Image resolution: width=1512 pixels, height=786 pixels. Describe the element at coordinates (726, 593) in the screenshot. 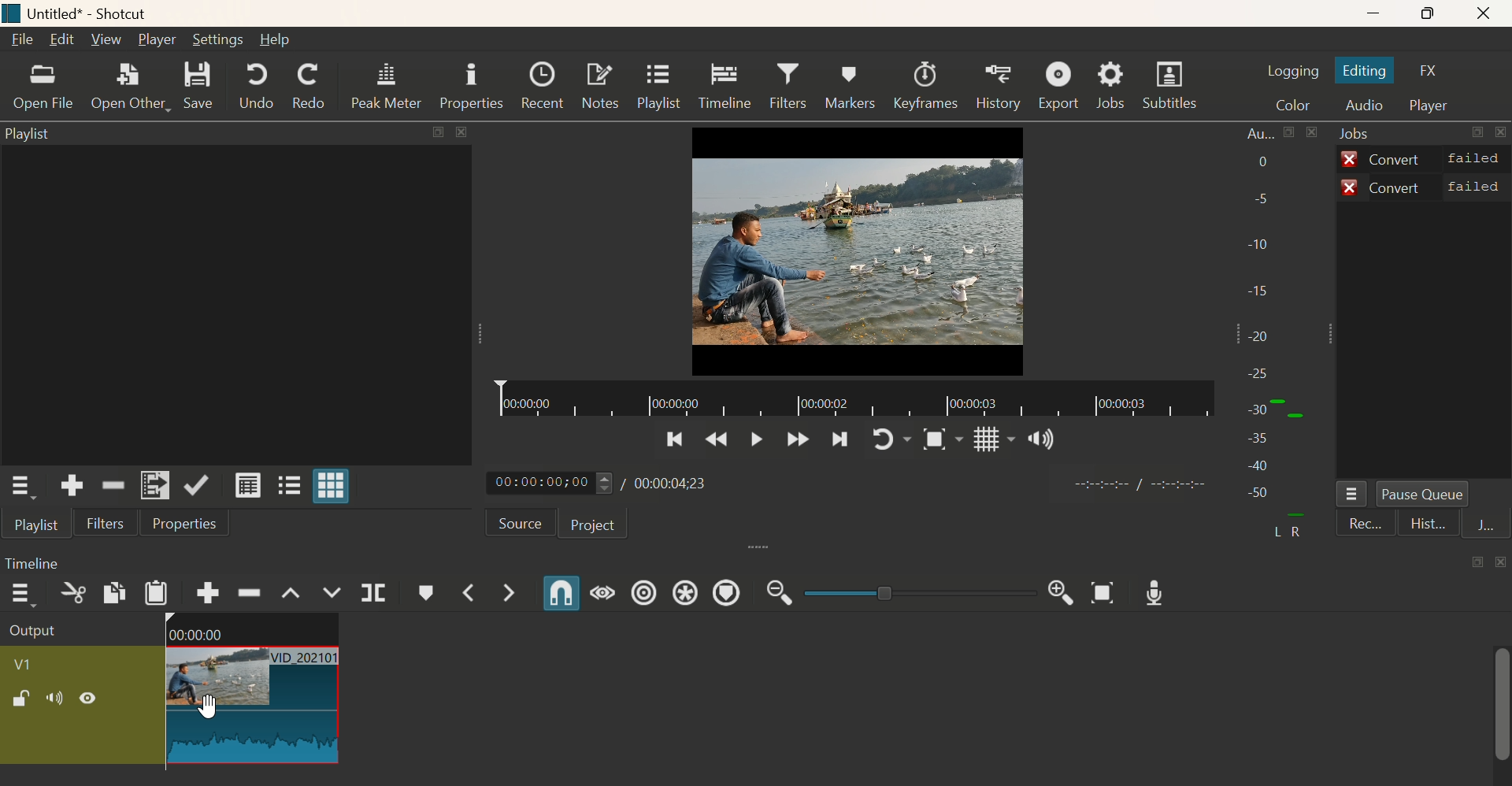

I see `` at that location.